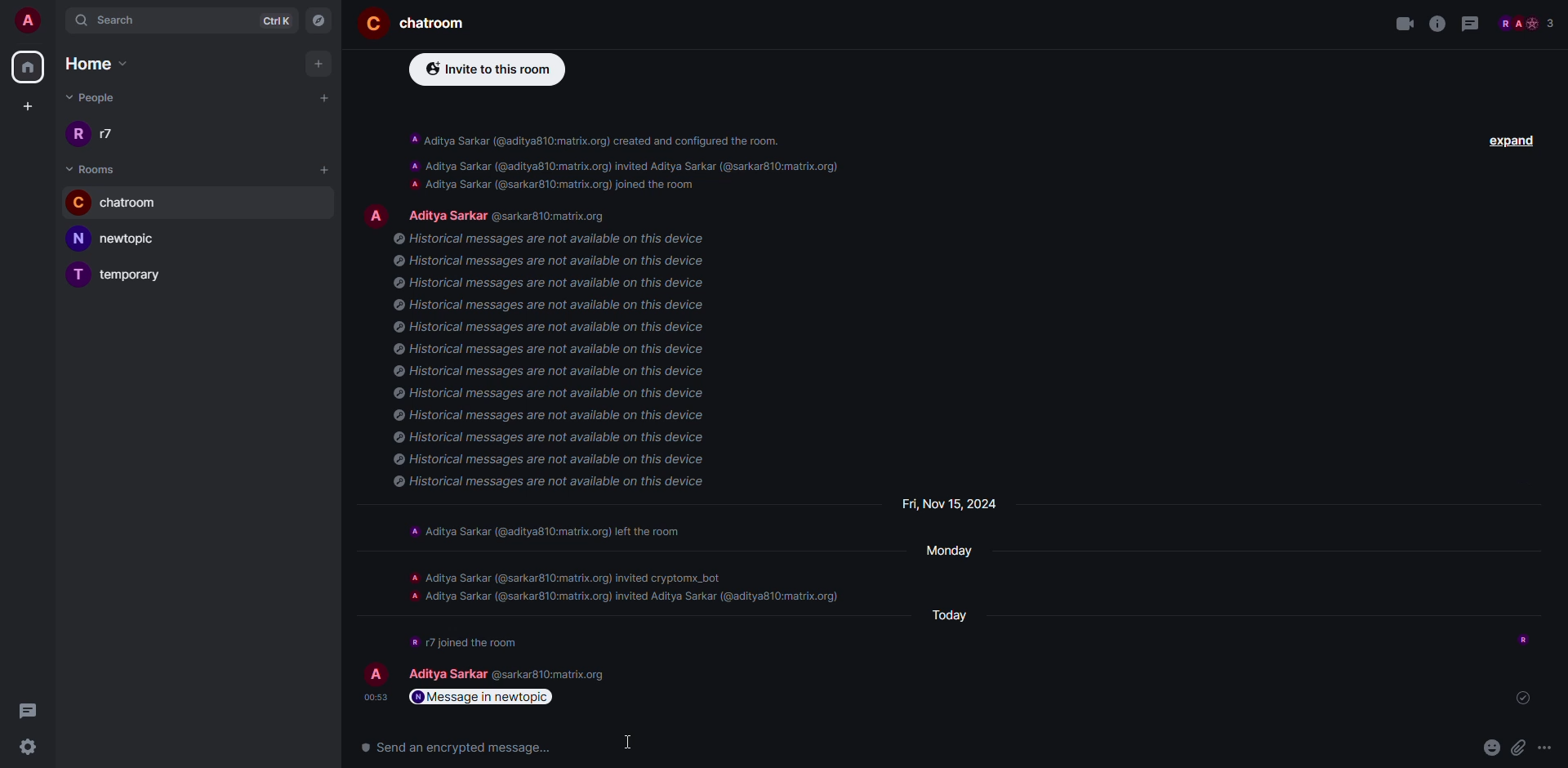 This screenshot has height=768, width=1568. What do you see at coordinates (327, 169) in the screenshot?
I see `add` at bounding box center [327, 169].